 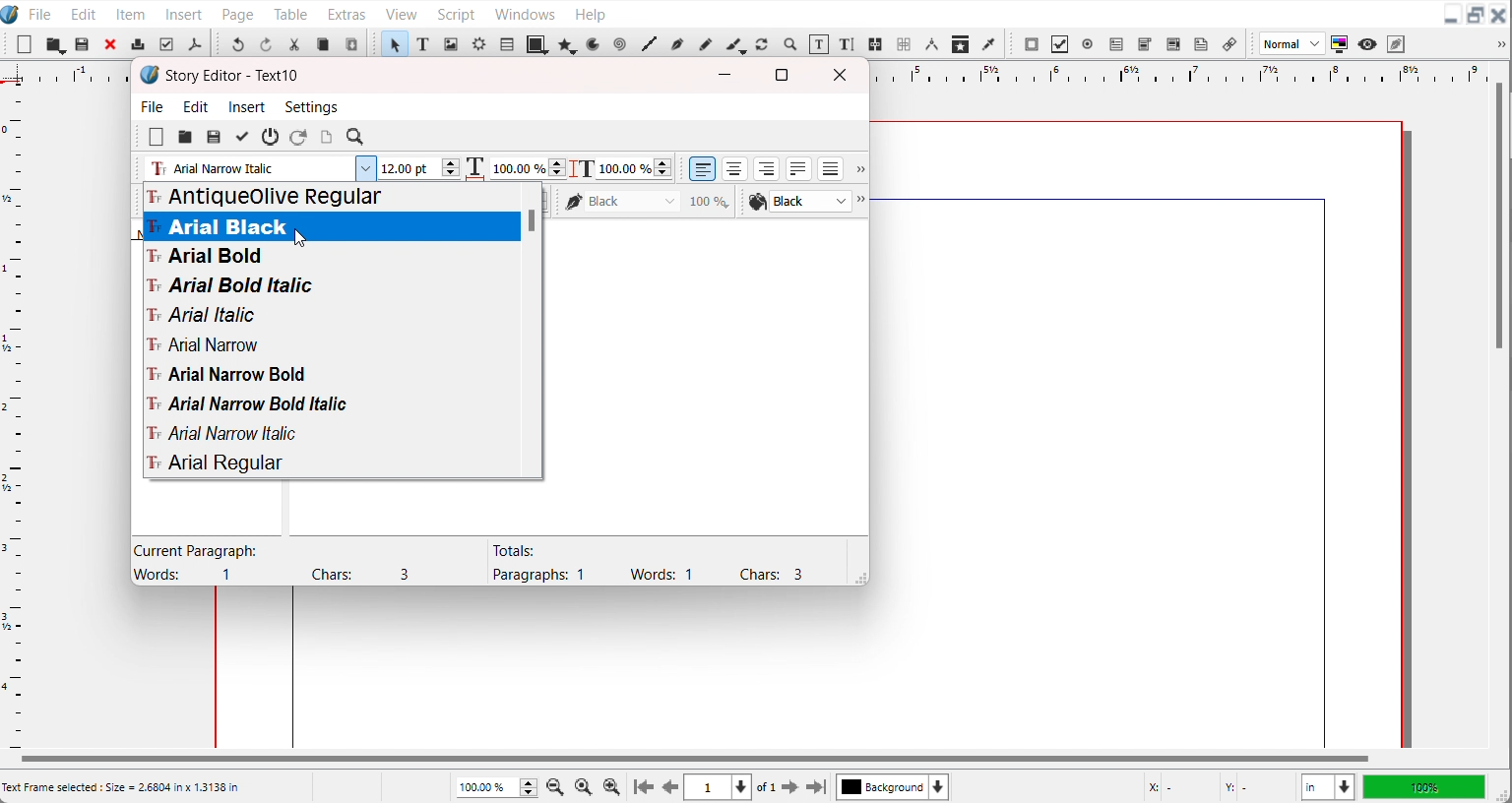 I want to click on Text Height Adjuster, so click(x=634, y=168).